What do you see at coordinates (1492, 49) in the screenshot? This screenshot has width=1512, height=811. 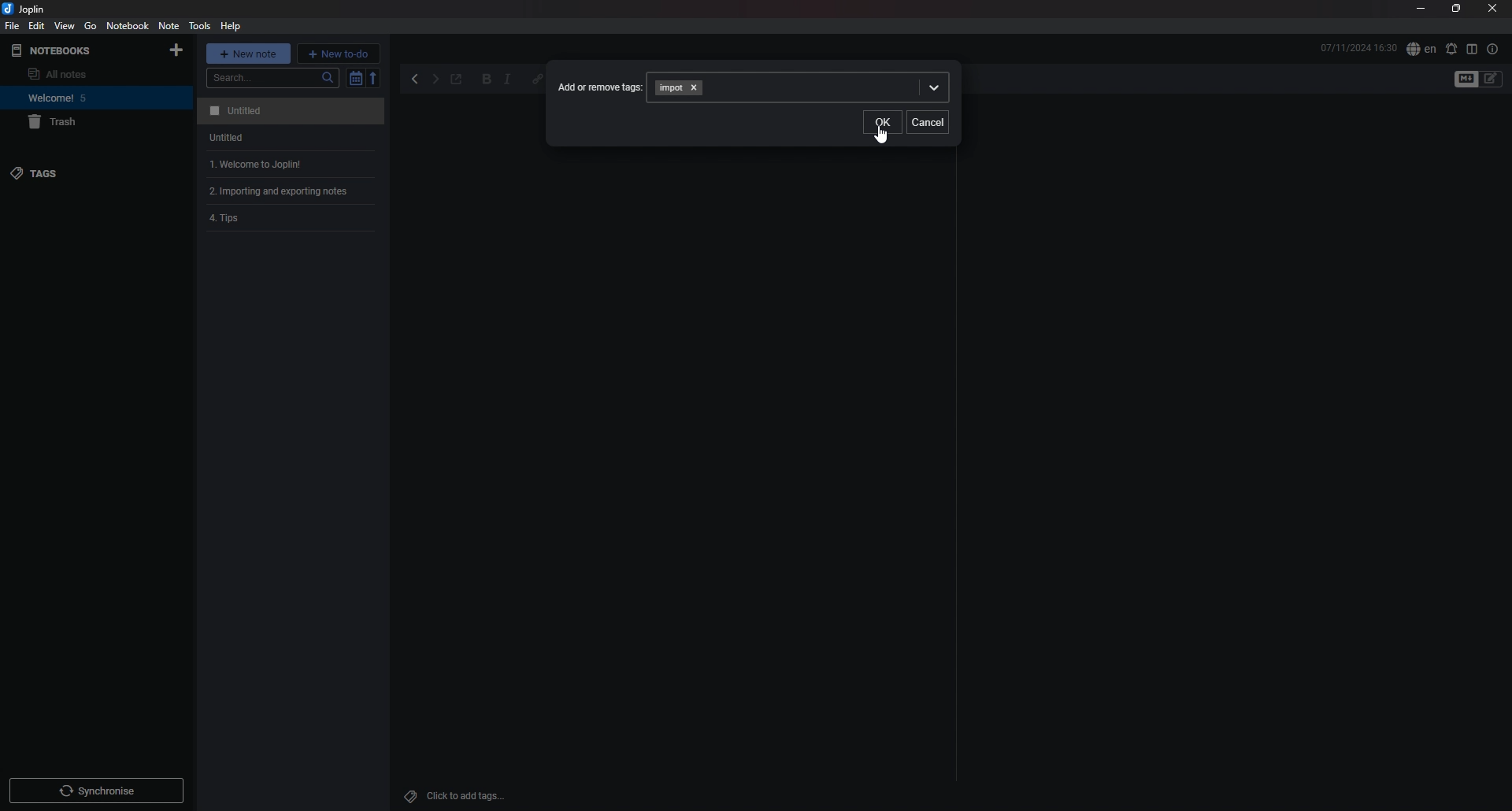 I see `note properties` at bounding box center [1492, 49].